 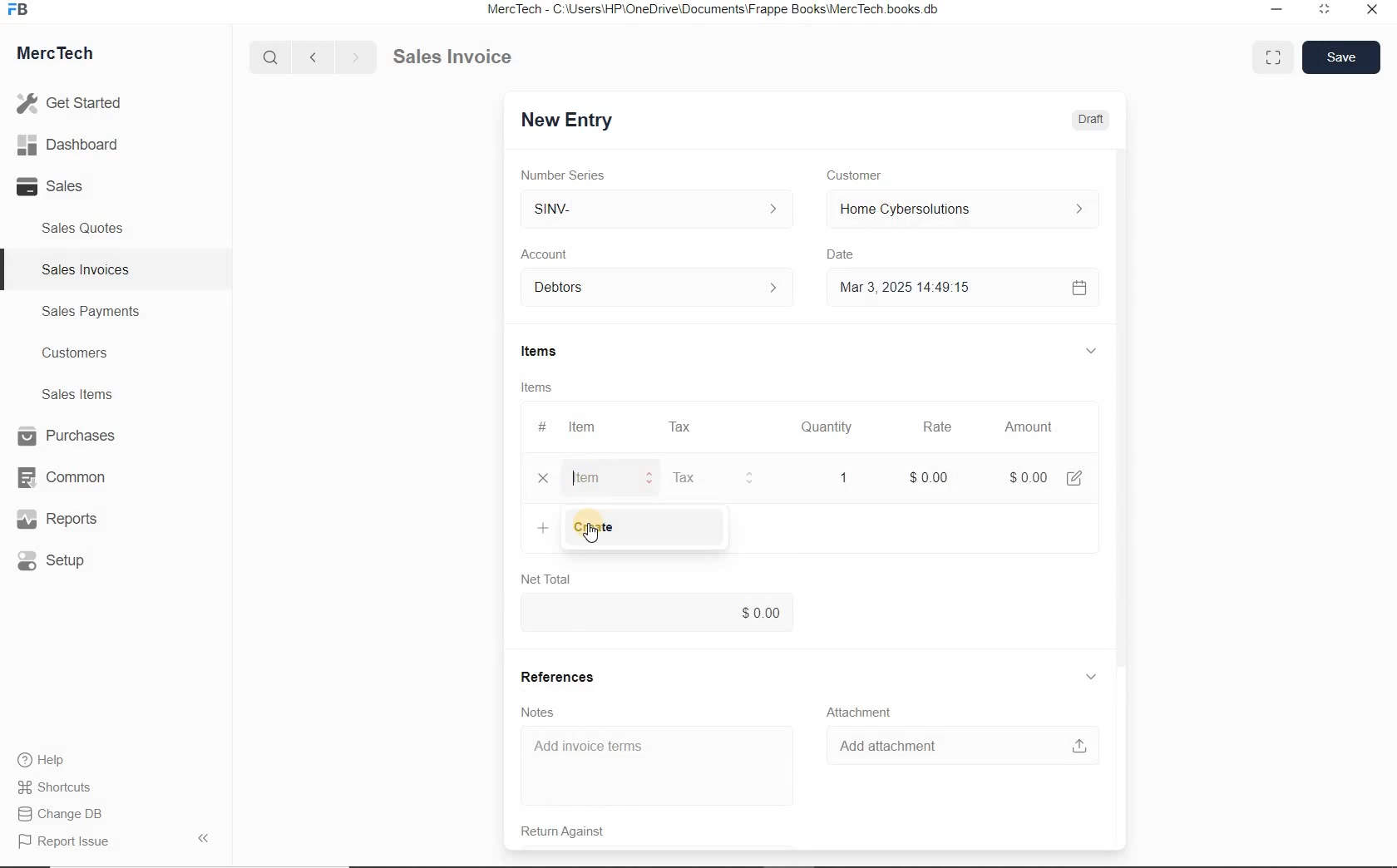 What do you see at coordinates (541, 712) in the screenshot?
I see `Notes` at bounding box center [541, 712].